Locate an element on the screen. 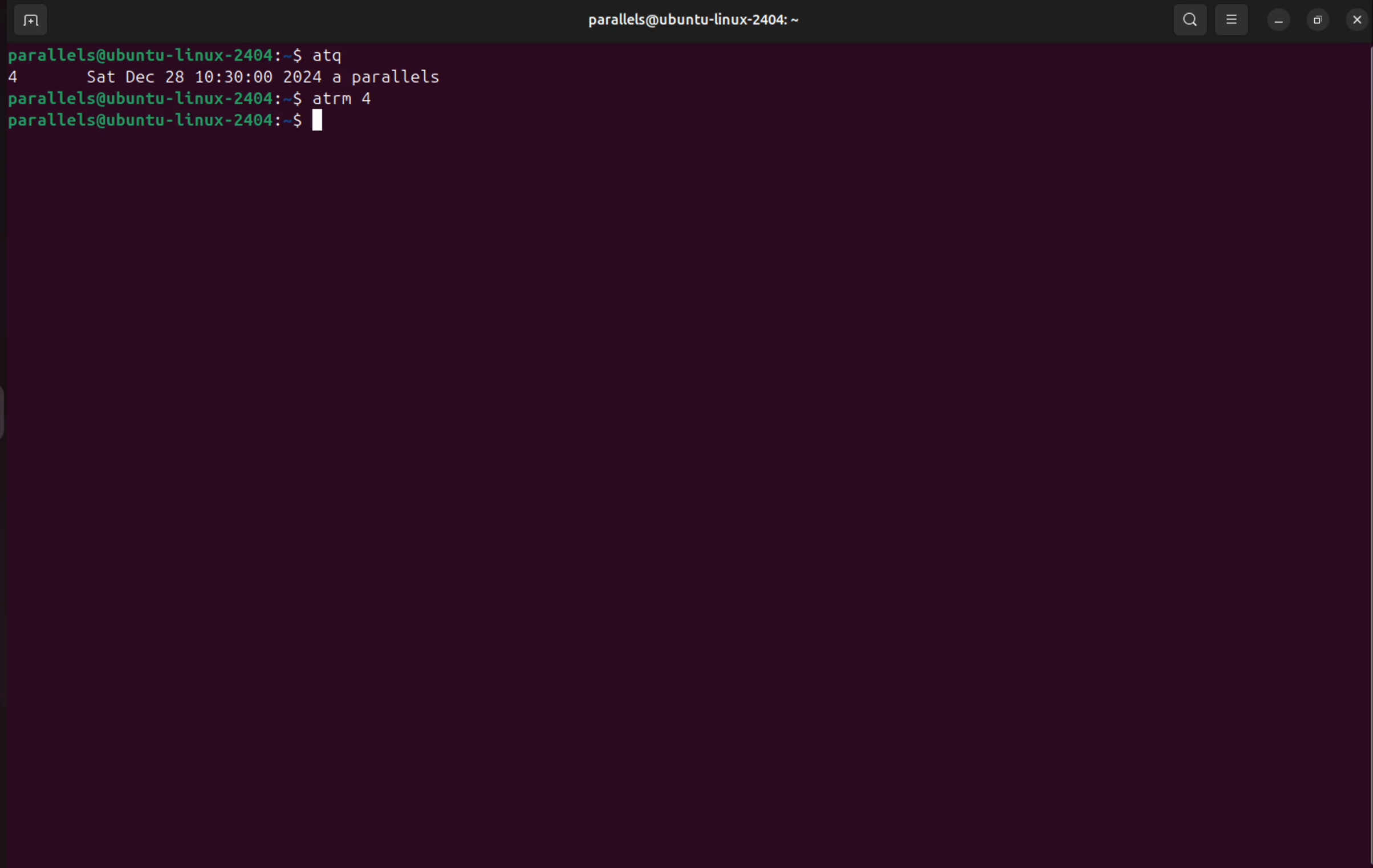 This screenshot has width=1373, height=868. view option is located at coordinates (1235, 21).